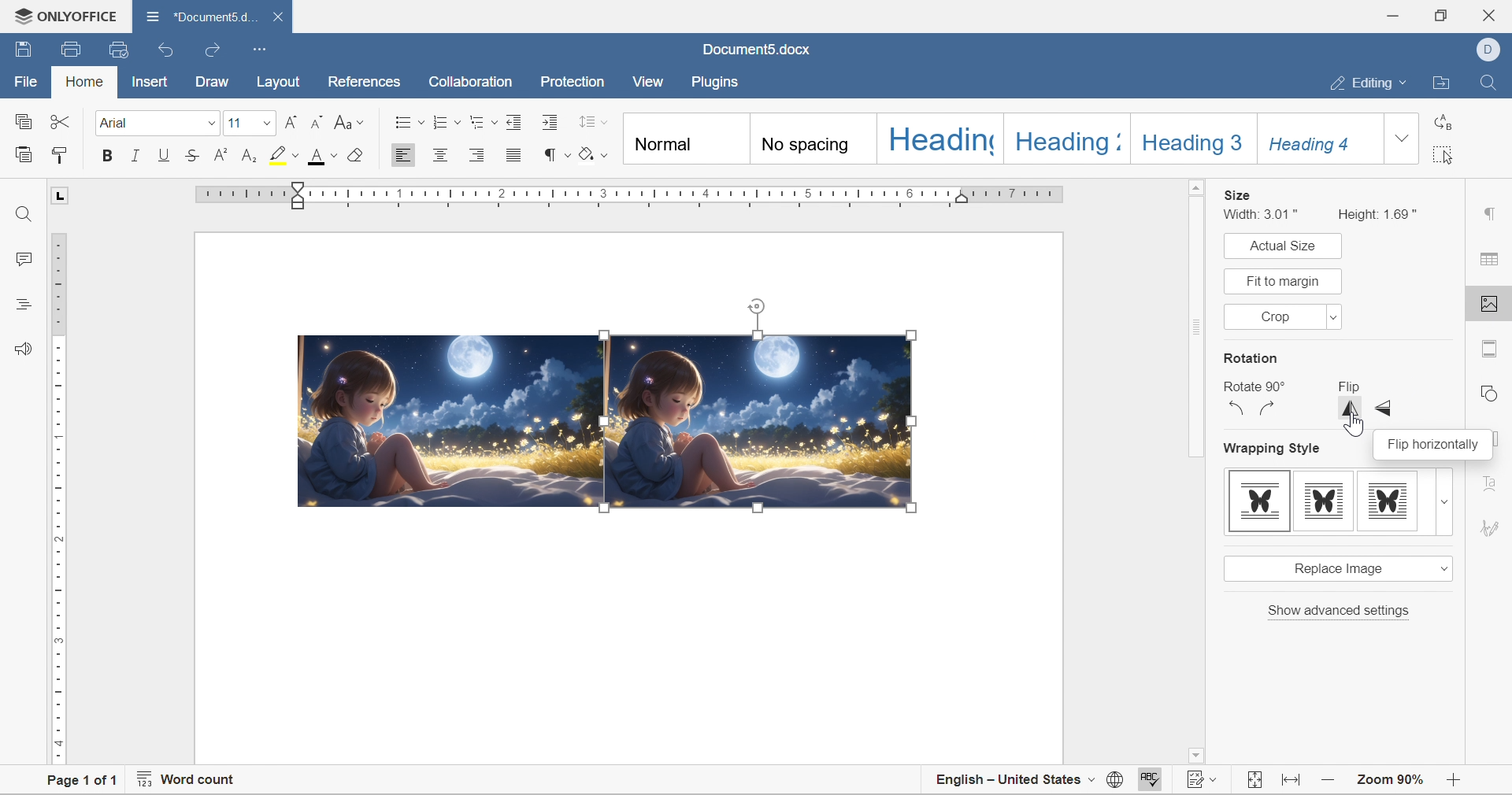 Image resolution: width=1512 pixels, height=795 pixels. What do you see at coordinates (1115, 779) in the screenshot?
I see `set document language` at bounding box center [1115, 779].